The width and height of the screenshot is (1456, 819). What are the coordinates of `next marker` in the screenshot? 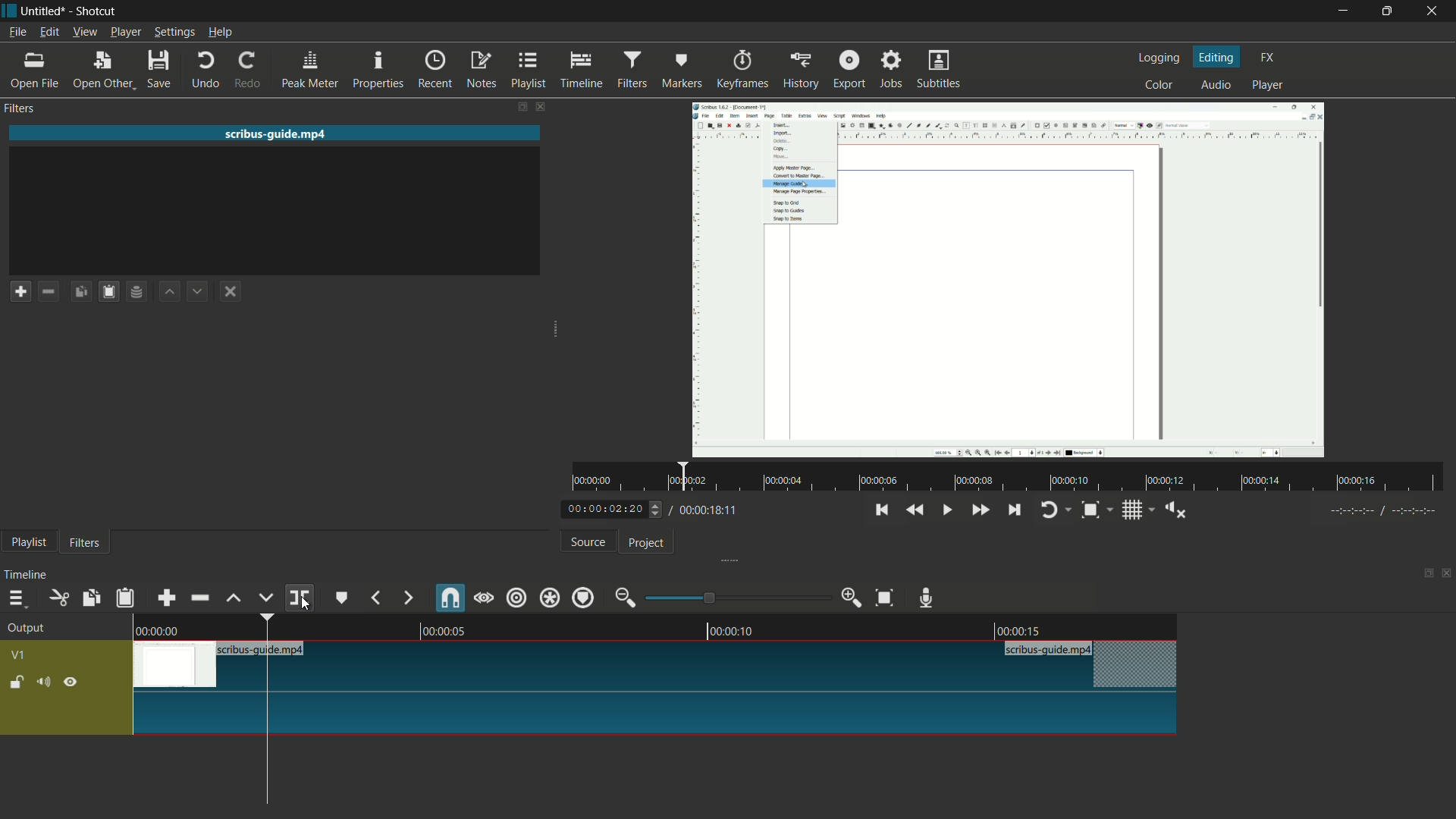 It's located at (409, 598).